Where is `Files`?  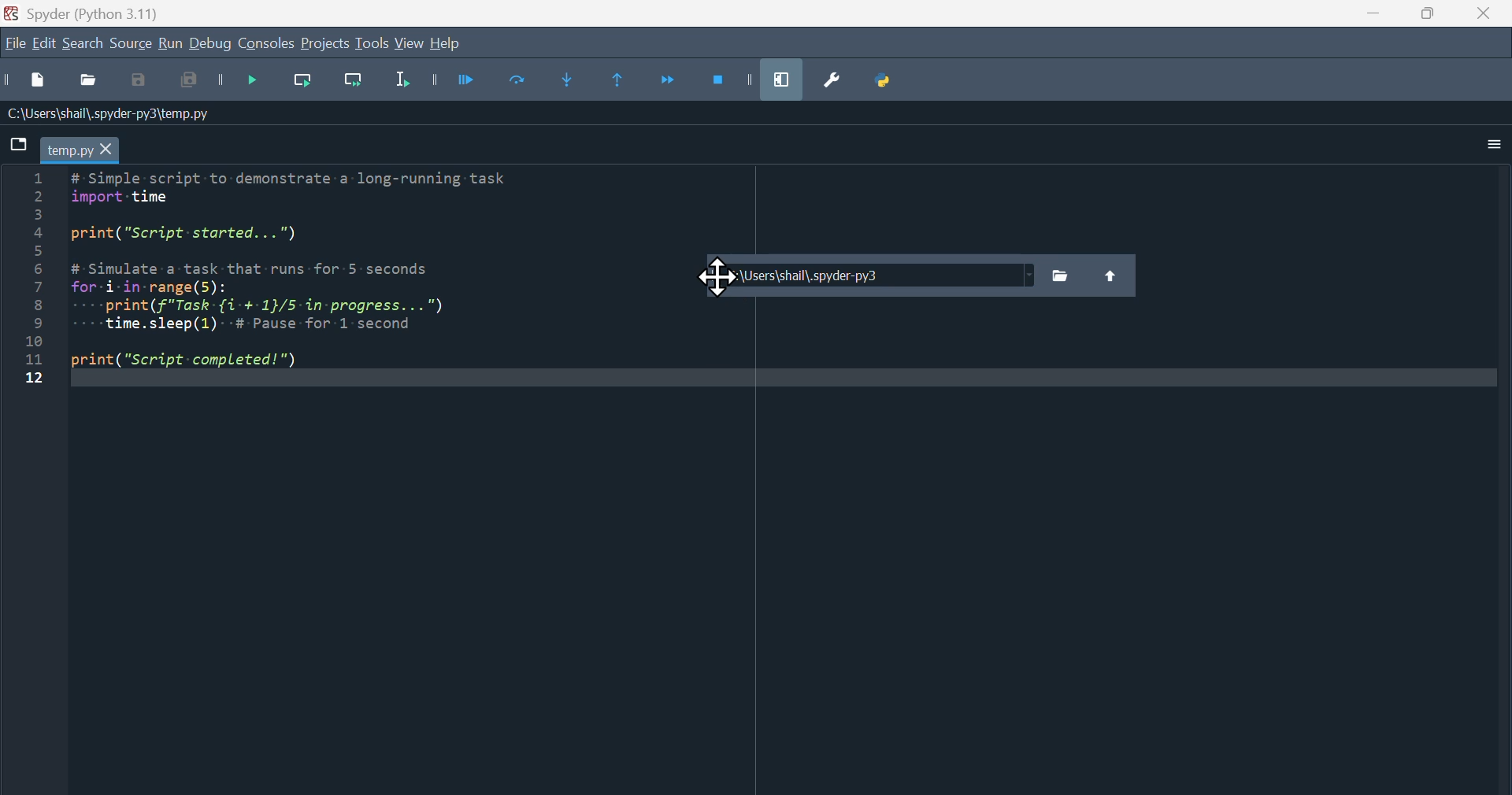
Files is located at coordinates (1060, 276).